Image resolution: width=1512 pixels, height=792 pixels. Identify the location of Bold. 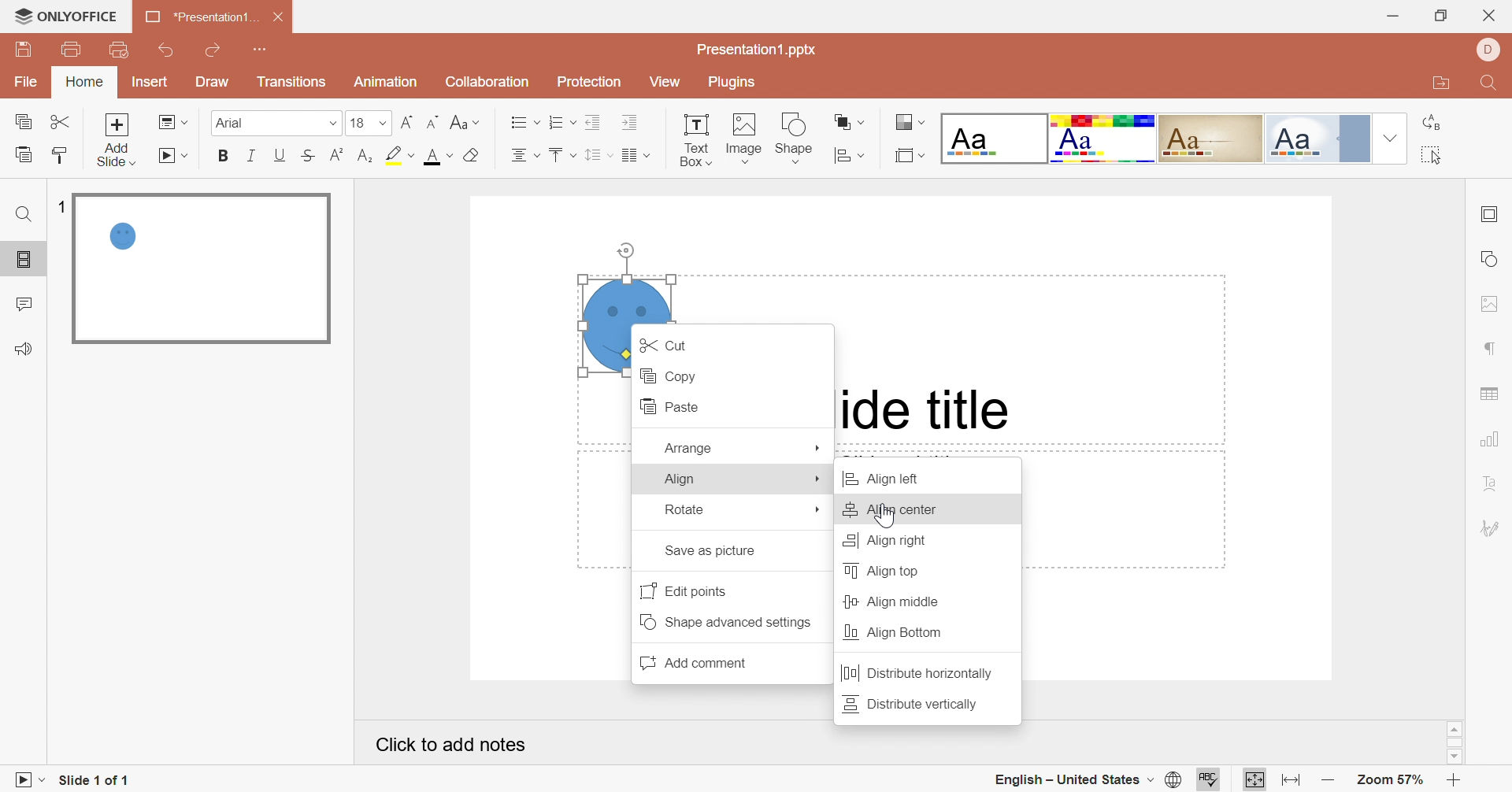
(224, 157).